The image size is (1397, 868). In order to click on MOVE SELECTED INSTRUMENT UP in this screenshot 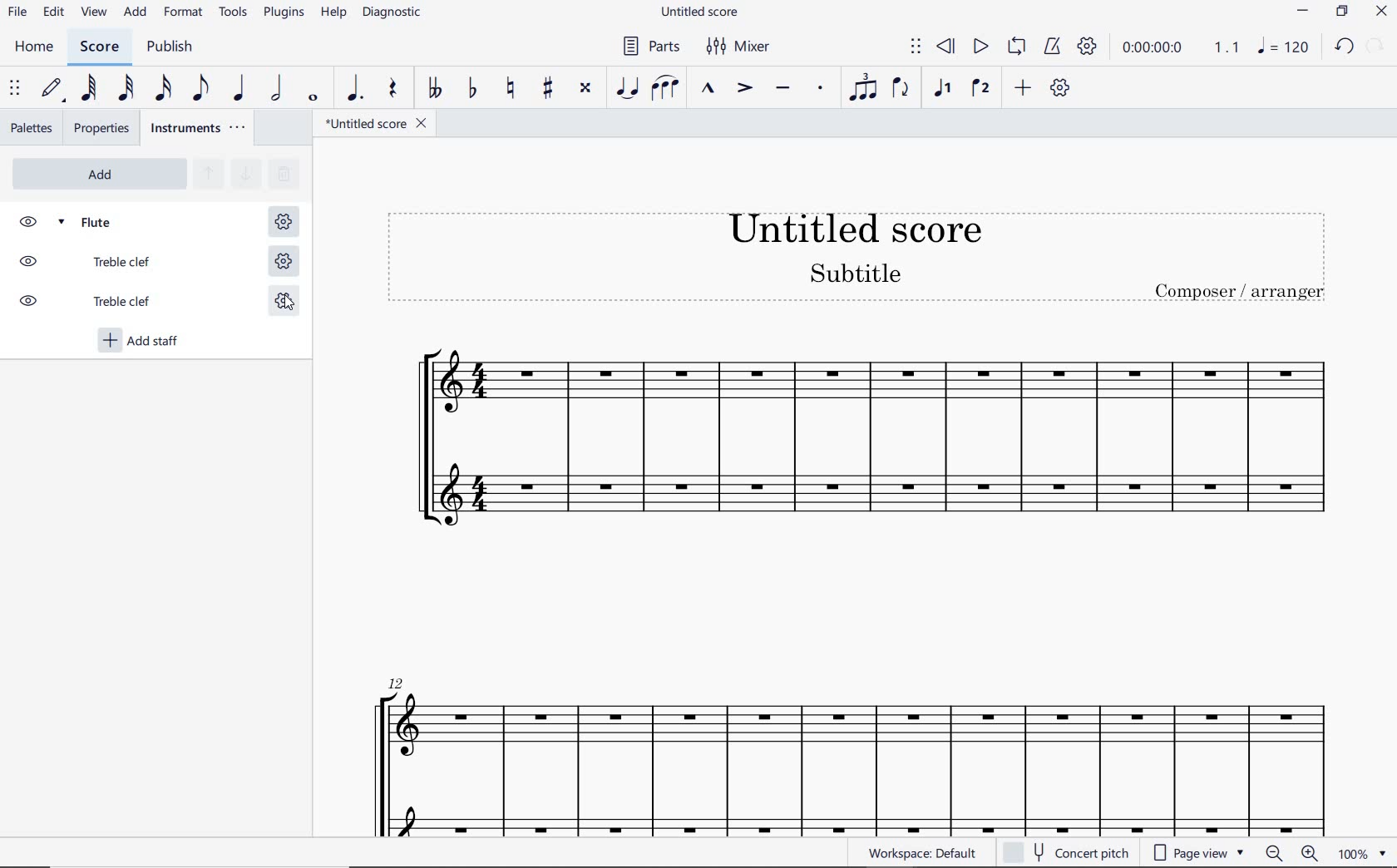, I will do `click(207, 175)`.